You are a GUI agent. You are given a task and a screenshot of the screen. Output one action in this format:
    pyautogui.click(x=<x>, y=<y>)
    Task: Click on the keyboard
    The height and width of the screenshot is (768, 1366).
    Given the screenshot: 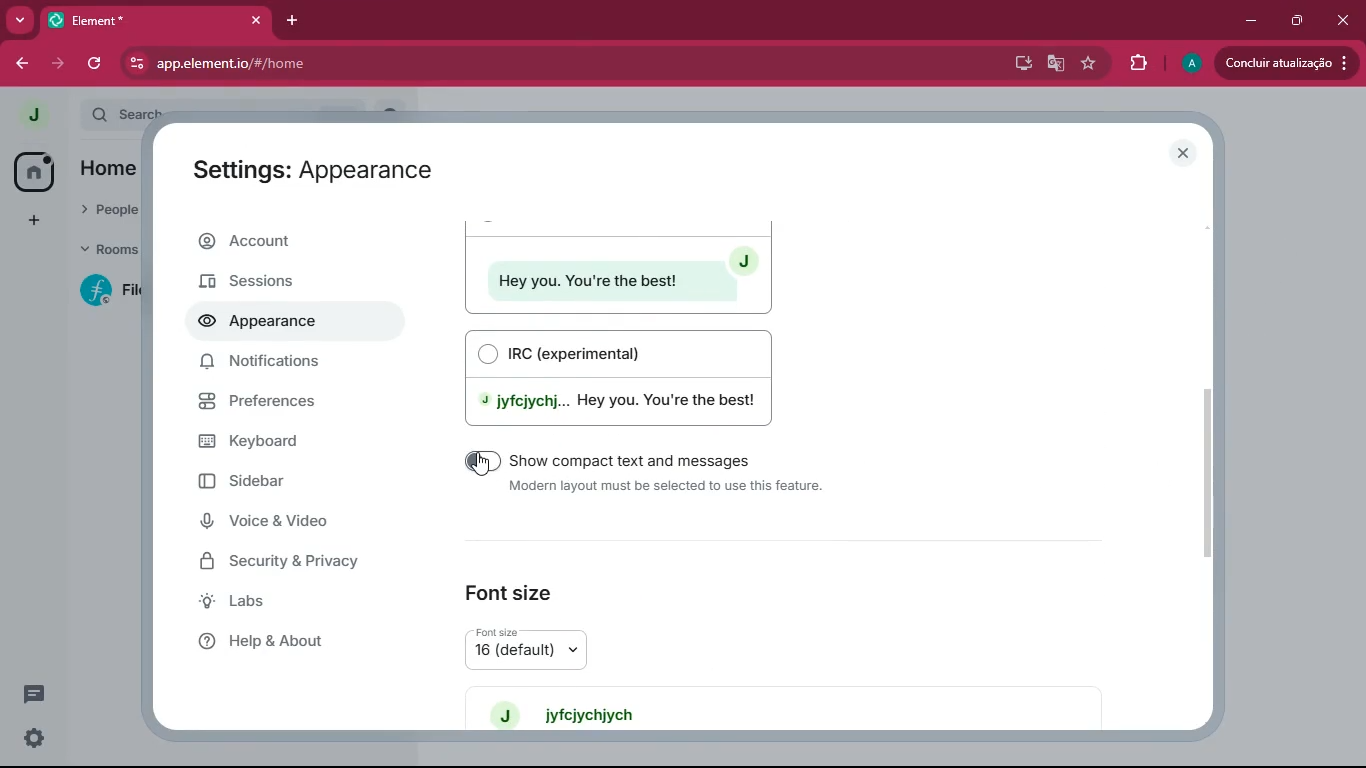 What is the action you would take?
    pyautogui.click(x=289, y=440)
    